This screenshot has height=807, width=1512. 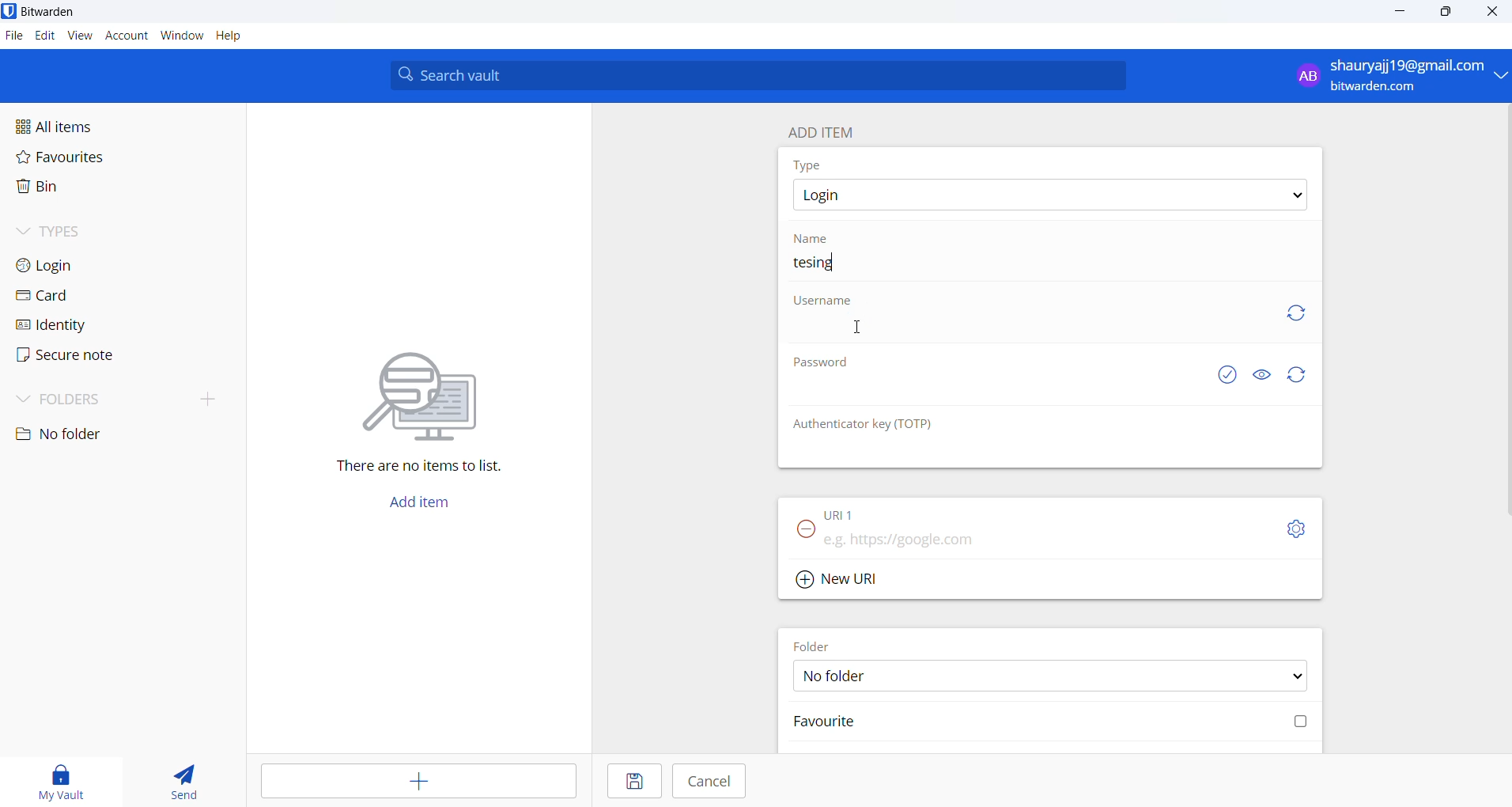 What do you see at coordinates (811, 240) in the screenshot?
I see `name` at bounding box center [811, 240].